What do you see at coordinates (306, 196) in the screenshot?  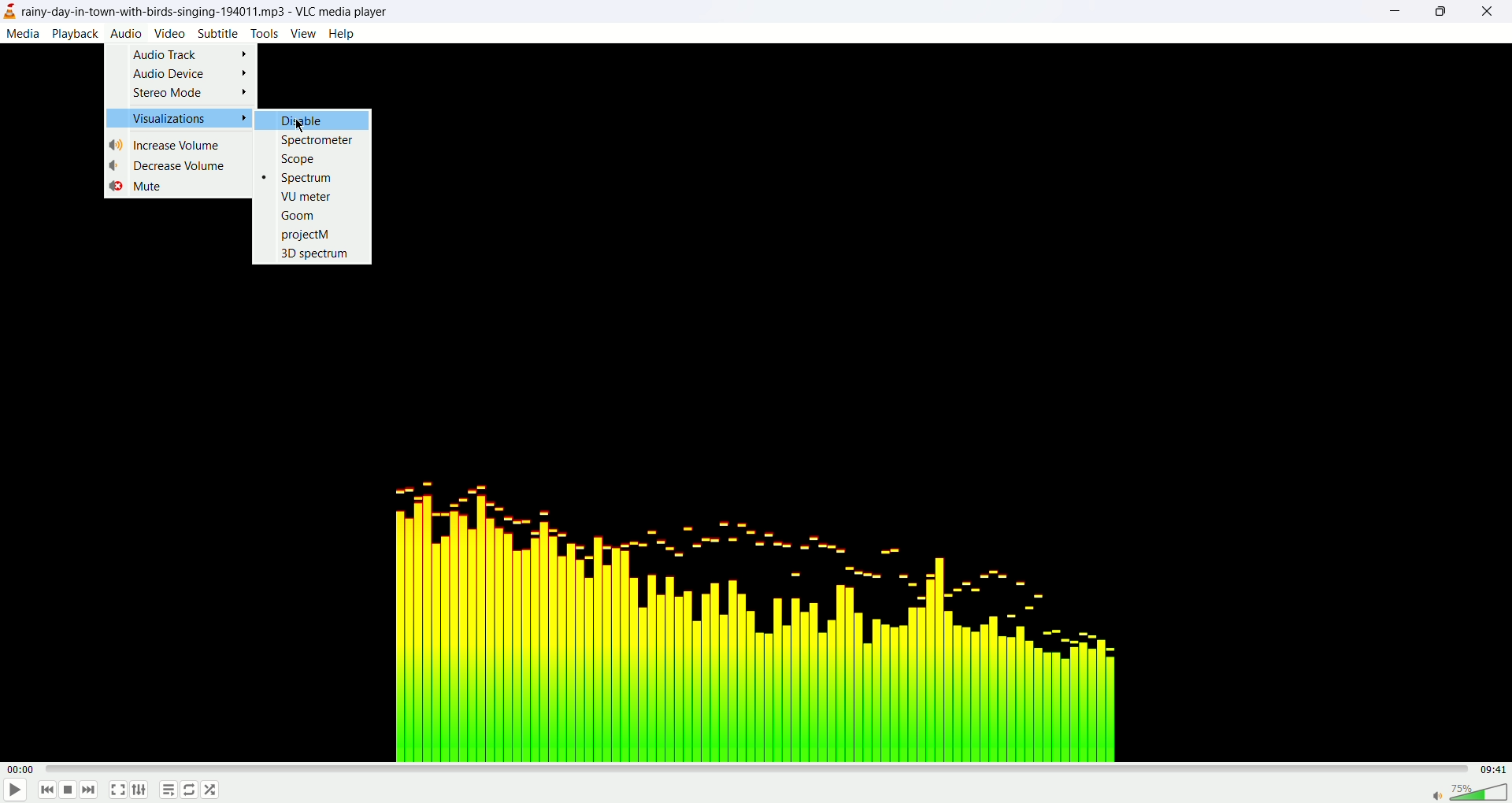 I see `VU meter` at bounding box center [306, 196].